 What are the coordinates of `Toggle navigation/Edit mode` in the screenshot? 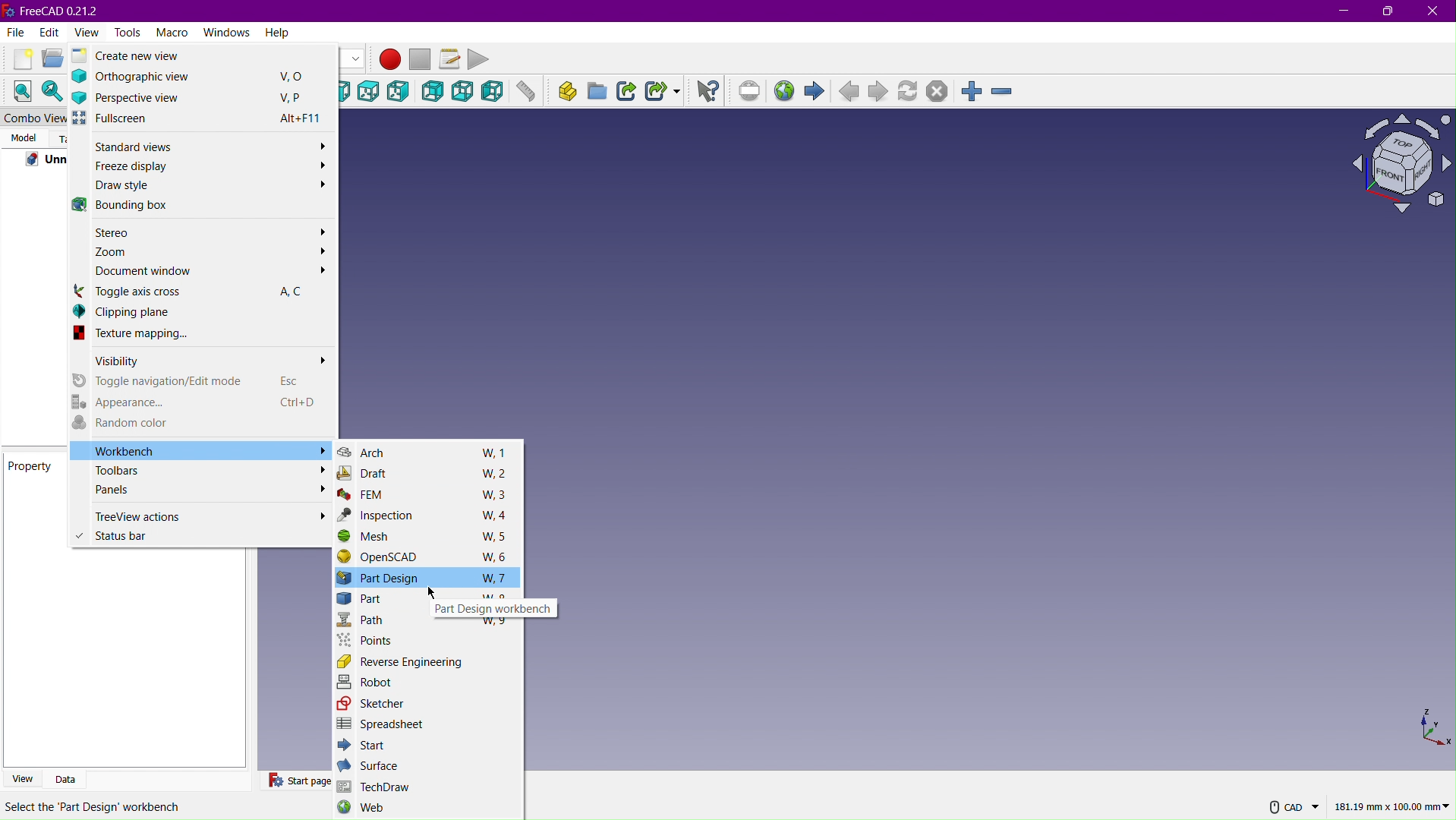 It's located at (205, 382).